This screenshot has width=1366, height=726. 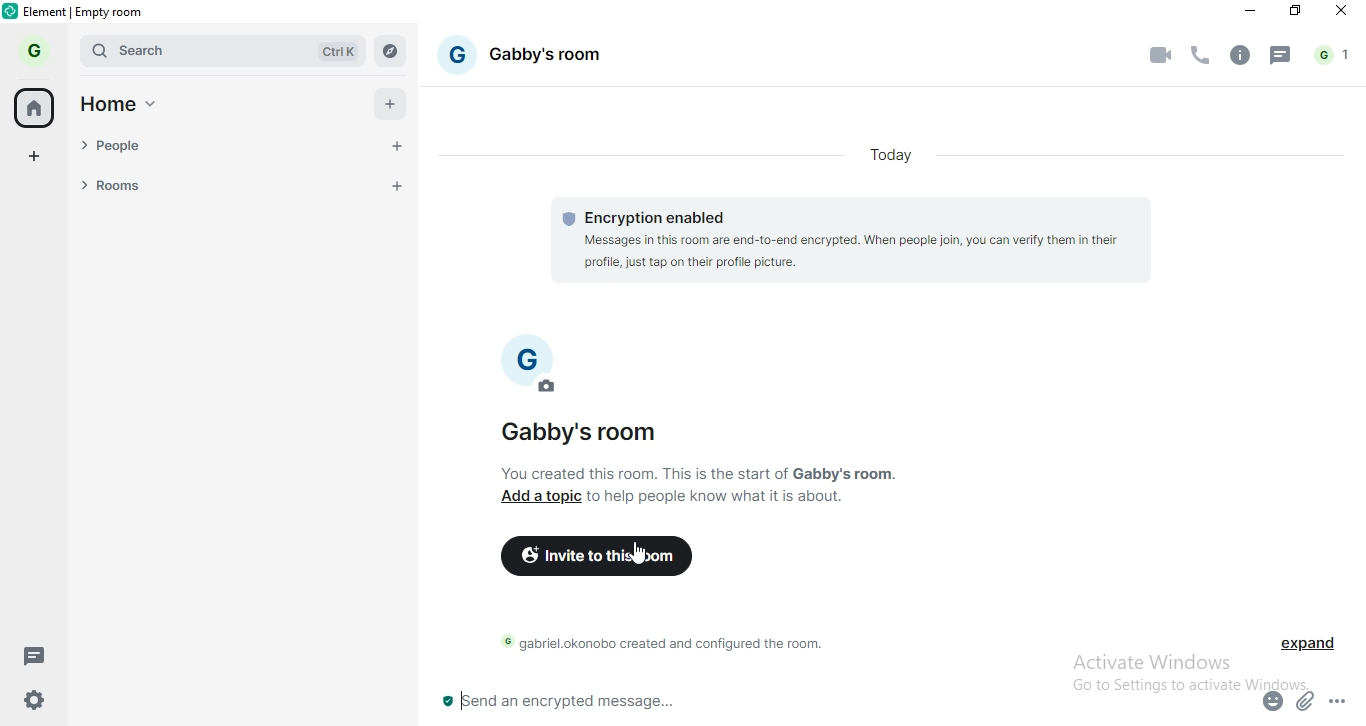 What do you see at coordinates (695, 492) in the screenshot?
I see `text 1` at bounding box center [695, 492].